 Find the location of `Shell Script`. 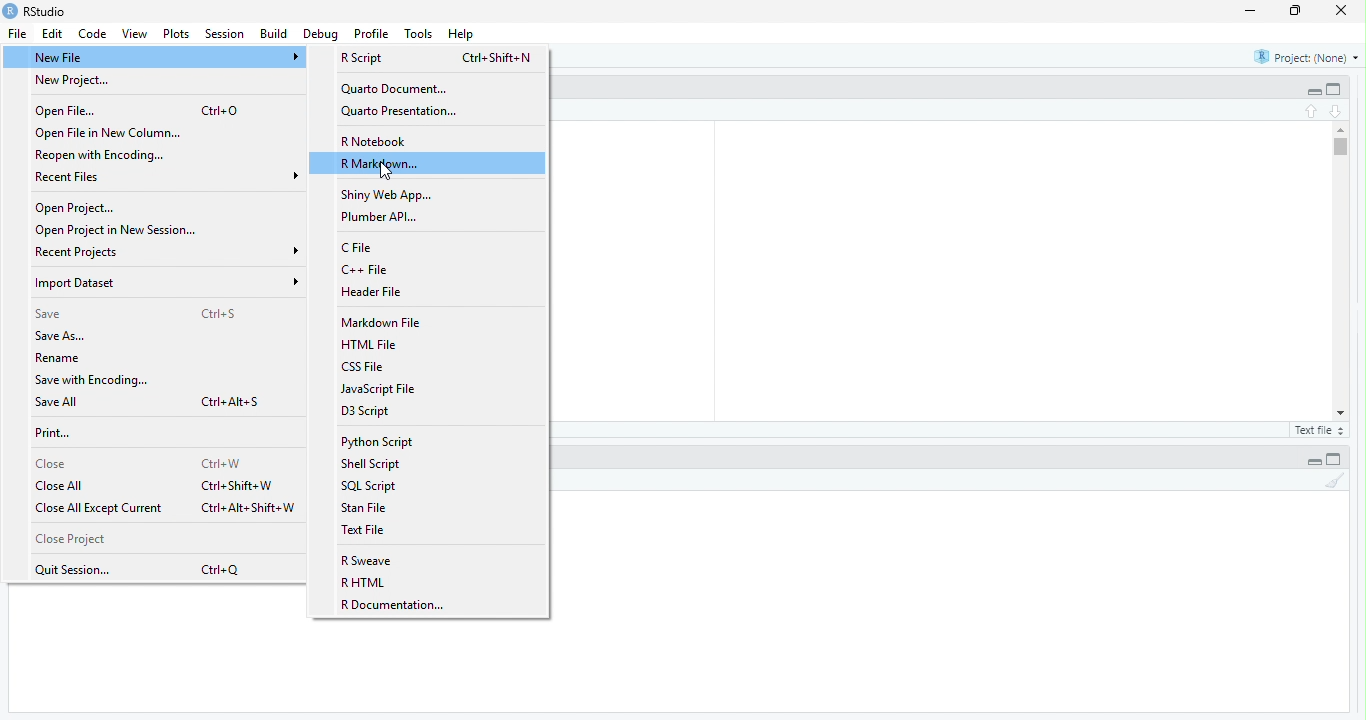

Shell Script is located at coordinates (371, 463).